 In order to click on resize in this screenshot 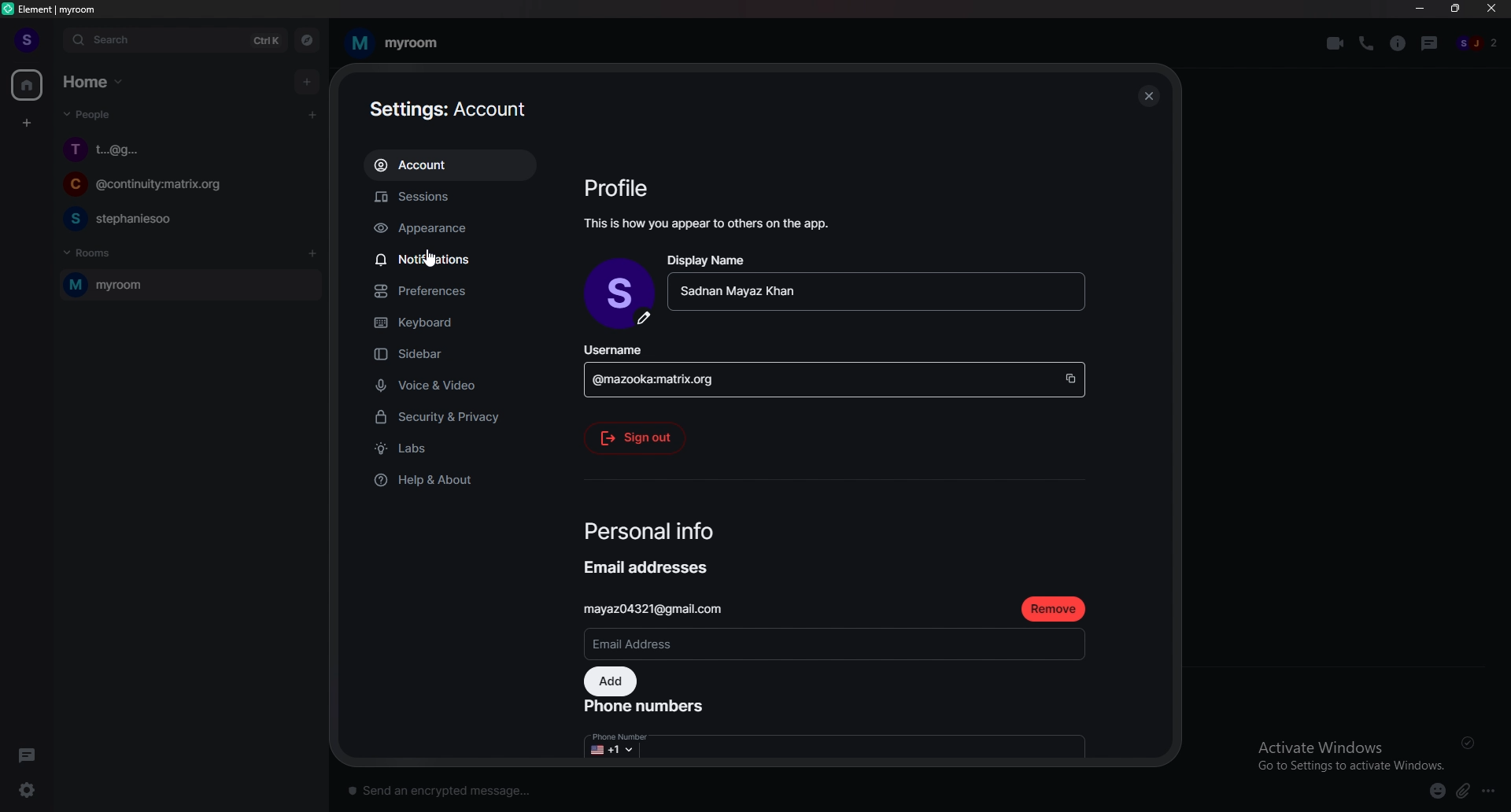, I will do `click(1455, 9)`.